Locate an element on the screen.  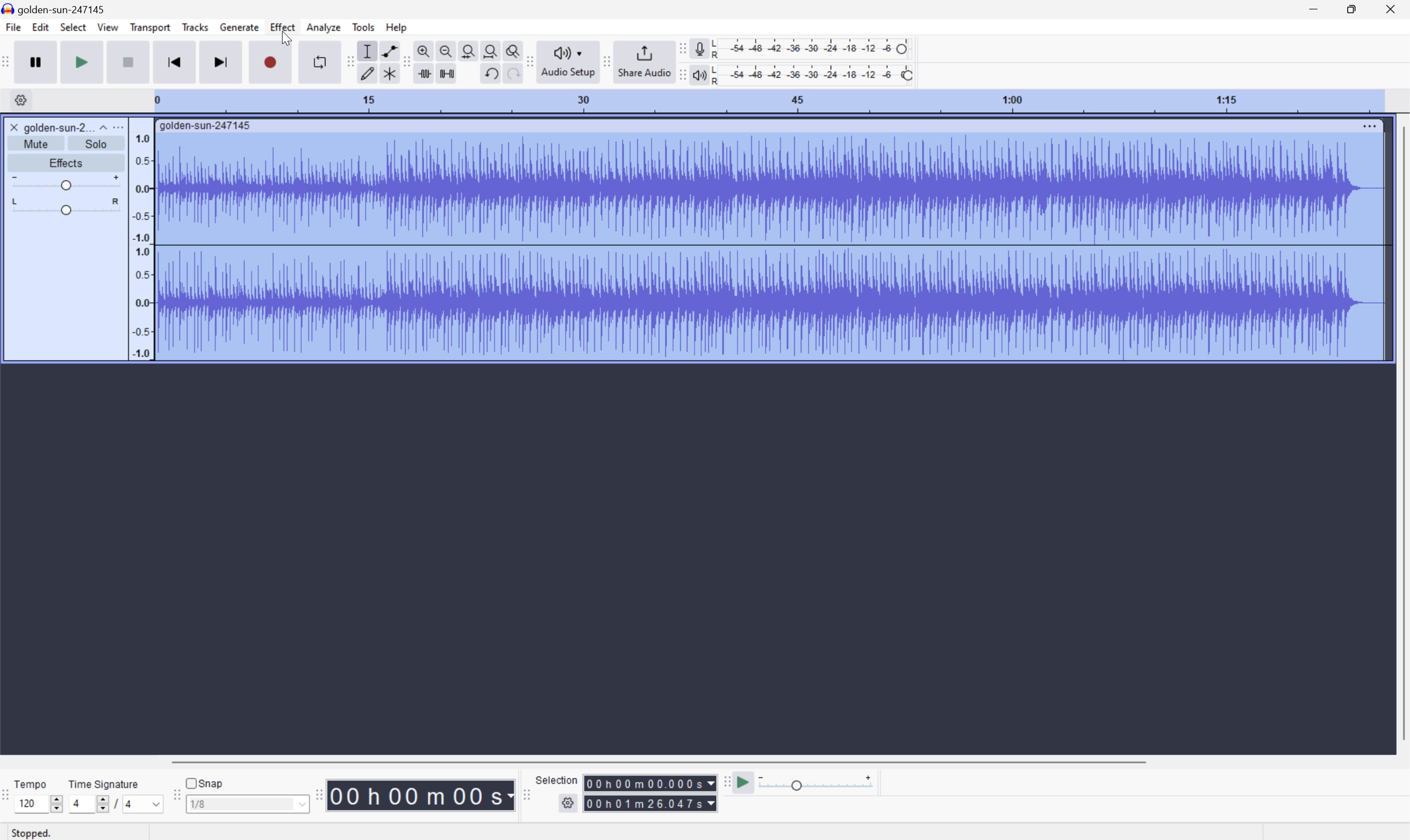
Mute is located at coordinates (36, 143).